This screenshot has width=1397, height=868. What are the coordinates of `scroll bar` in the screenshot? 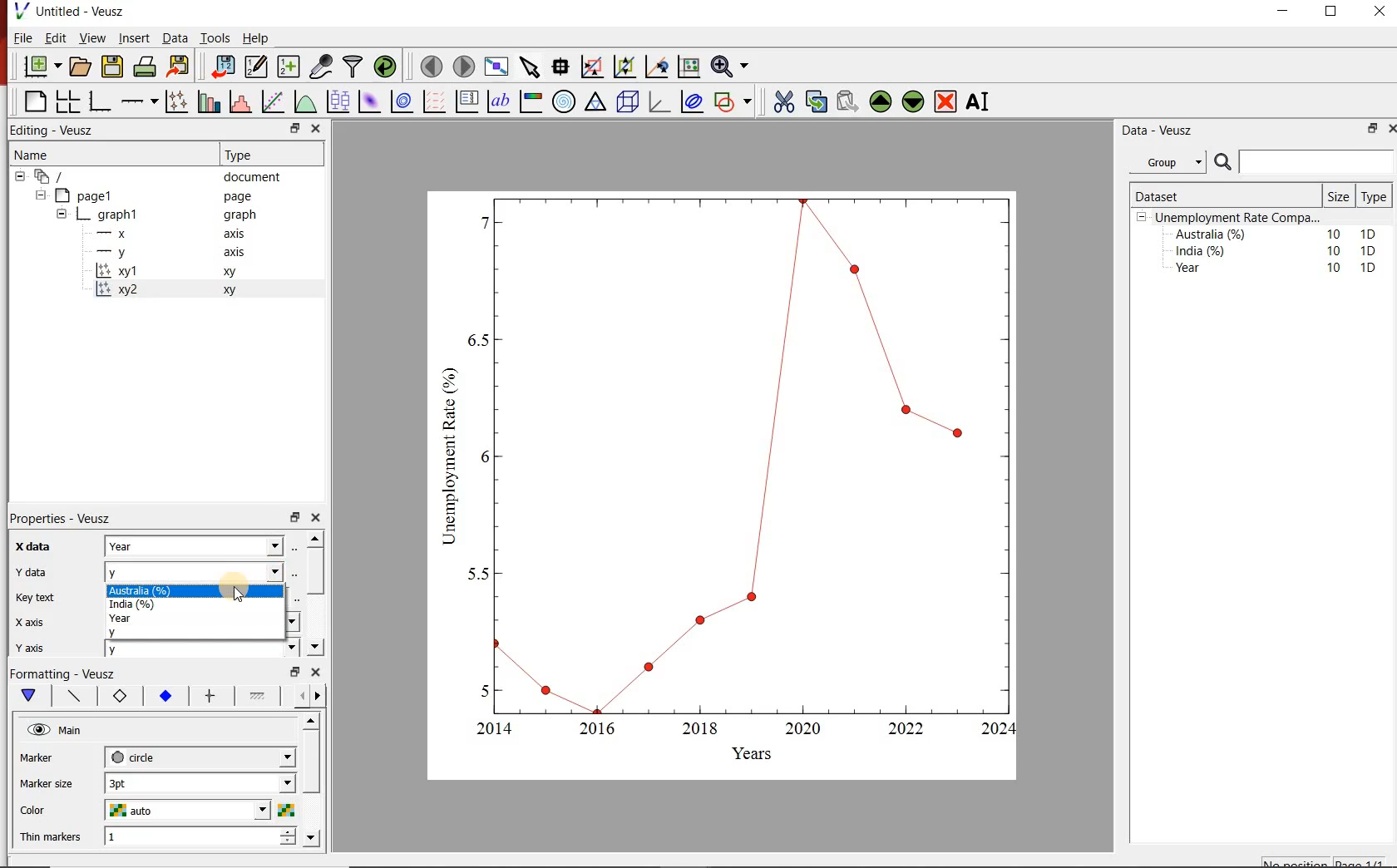 It's located at (312, 776).